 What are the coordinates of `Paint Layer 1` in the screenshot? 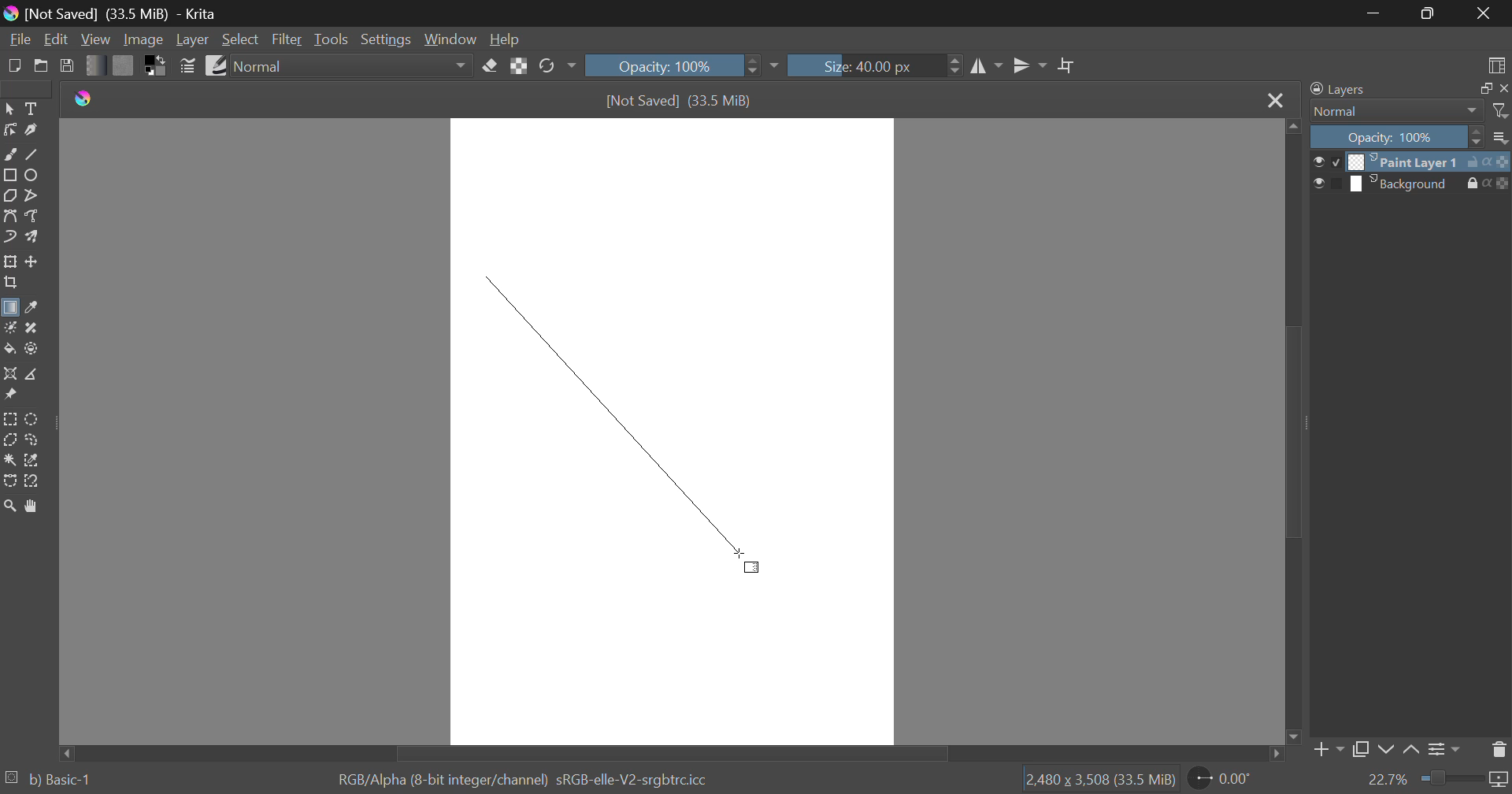 It's located at (1407, 161).